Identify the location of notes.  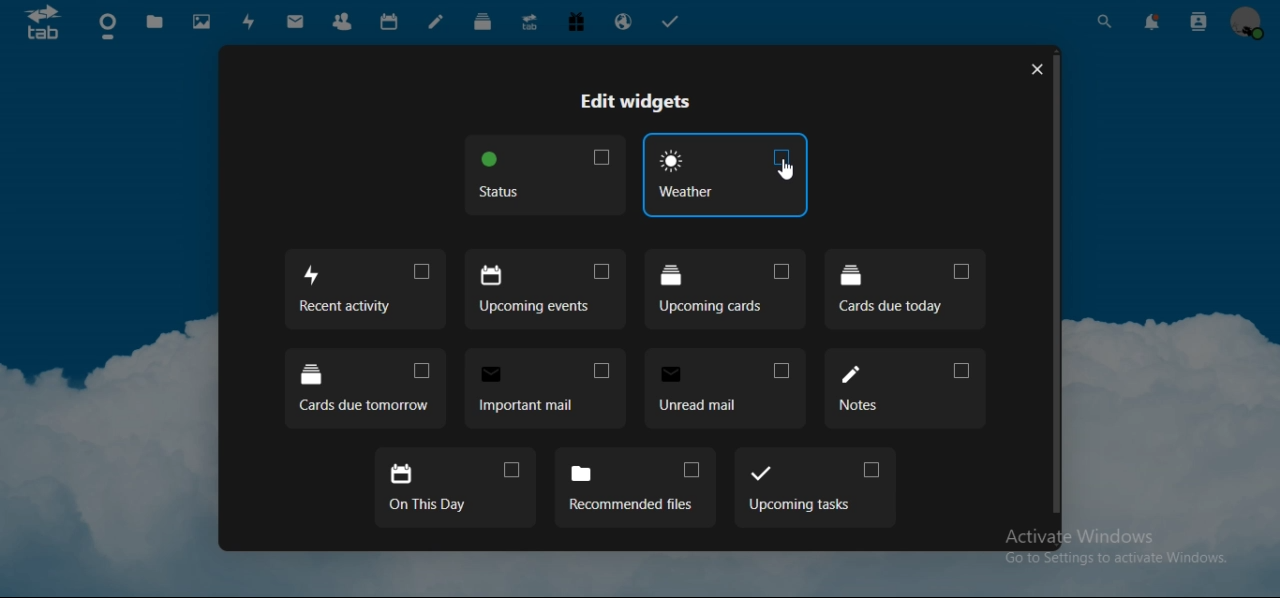
(904, 388).